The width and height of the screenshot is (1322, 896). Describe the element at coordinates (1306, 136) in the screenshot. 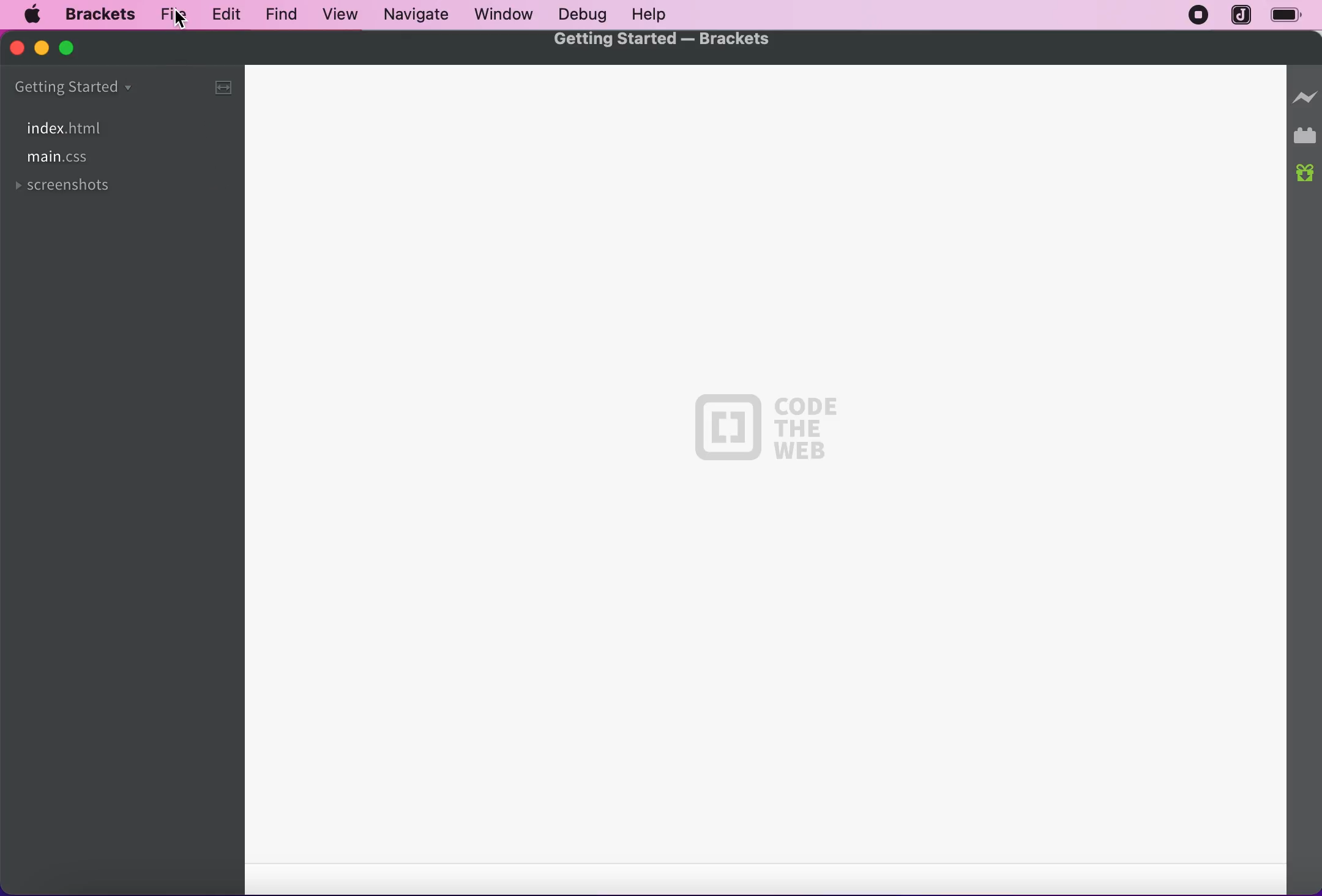

I see `extensions manager` at that location.